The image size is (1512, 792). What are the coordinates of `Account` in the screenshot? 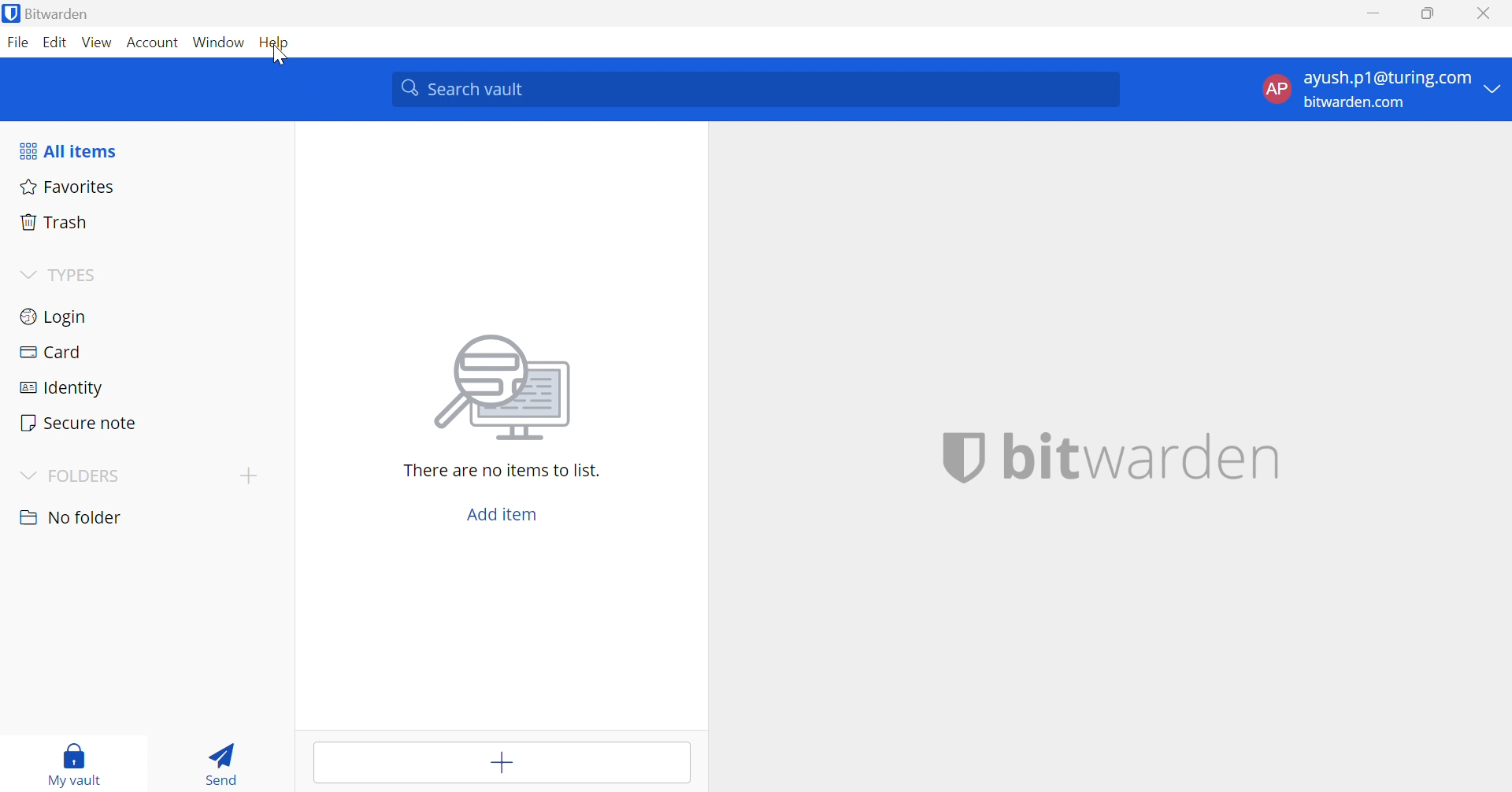 It's located at (153, 44).